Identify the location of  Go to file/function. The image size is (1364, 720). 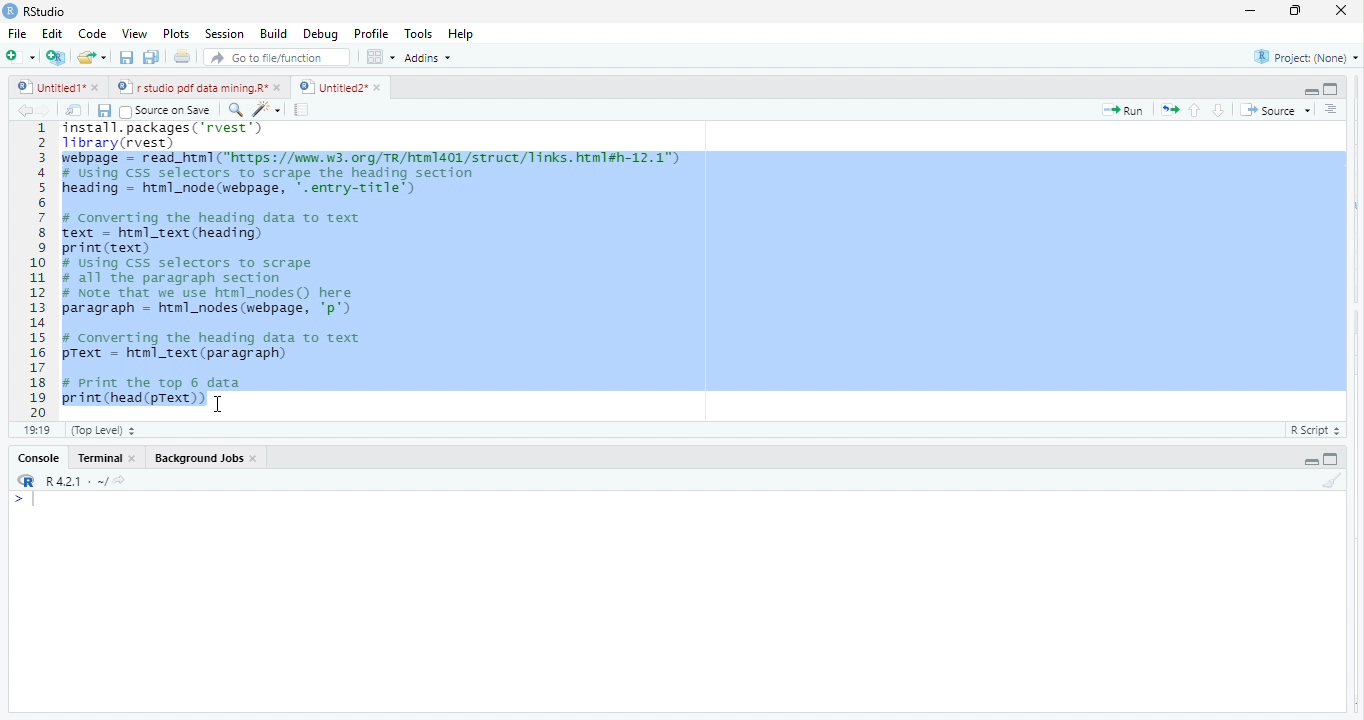
(278, 58).